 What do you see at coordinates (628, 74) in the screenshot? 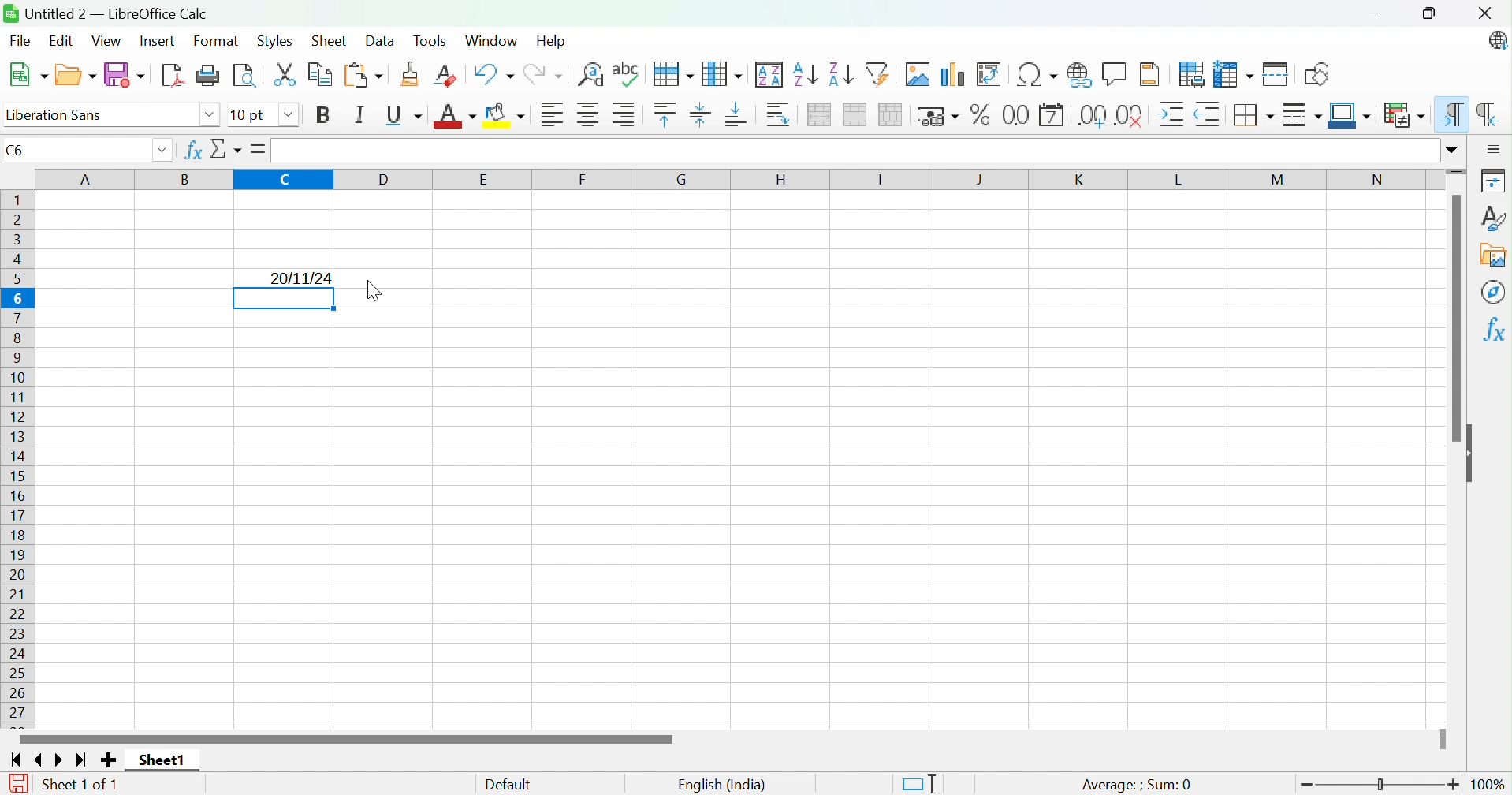
I see `Find and replace` at bounding box center [628, 74].